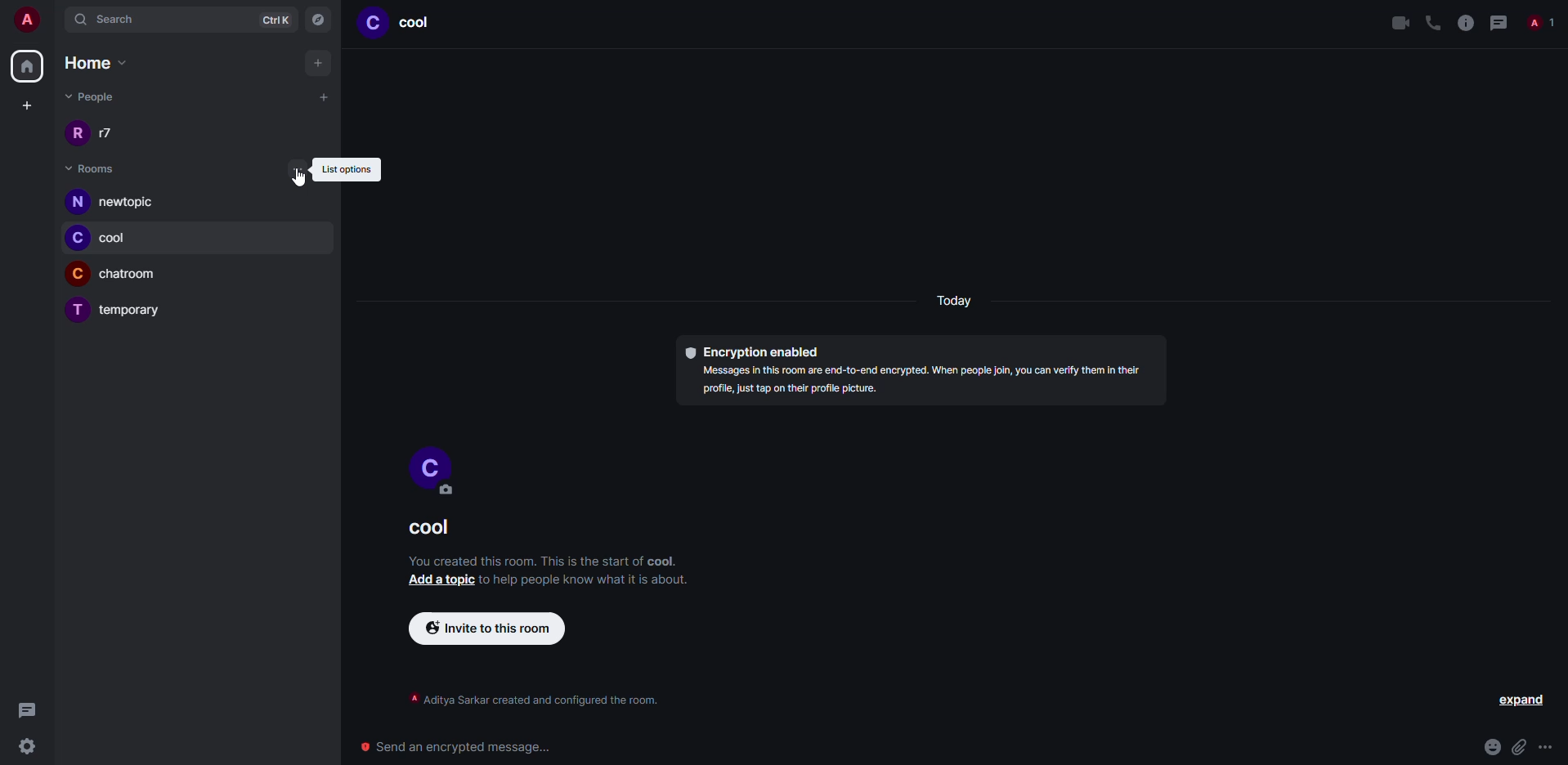  I want to click on room, so click(422, 530).